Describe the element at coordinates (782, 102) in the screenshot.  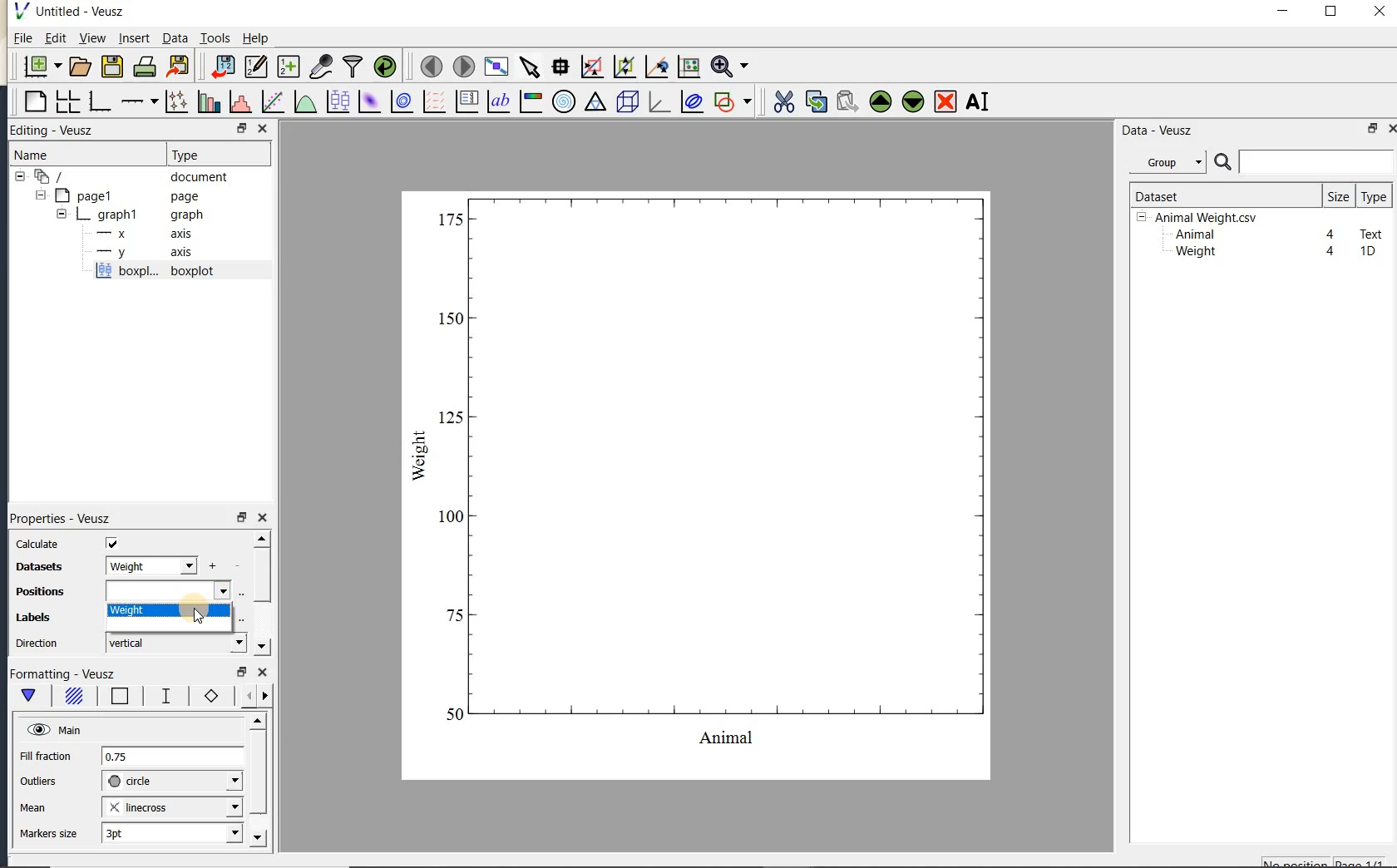
I see `cut the selected widget` at that location.